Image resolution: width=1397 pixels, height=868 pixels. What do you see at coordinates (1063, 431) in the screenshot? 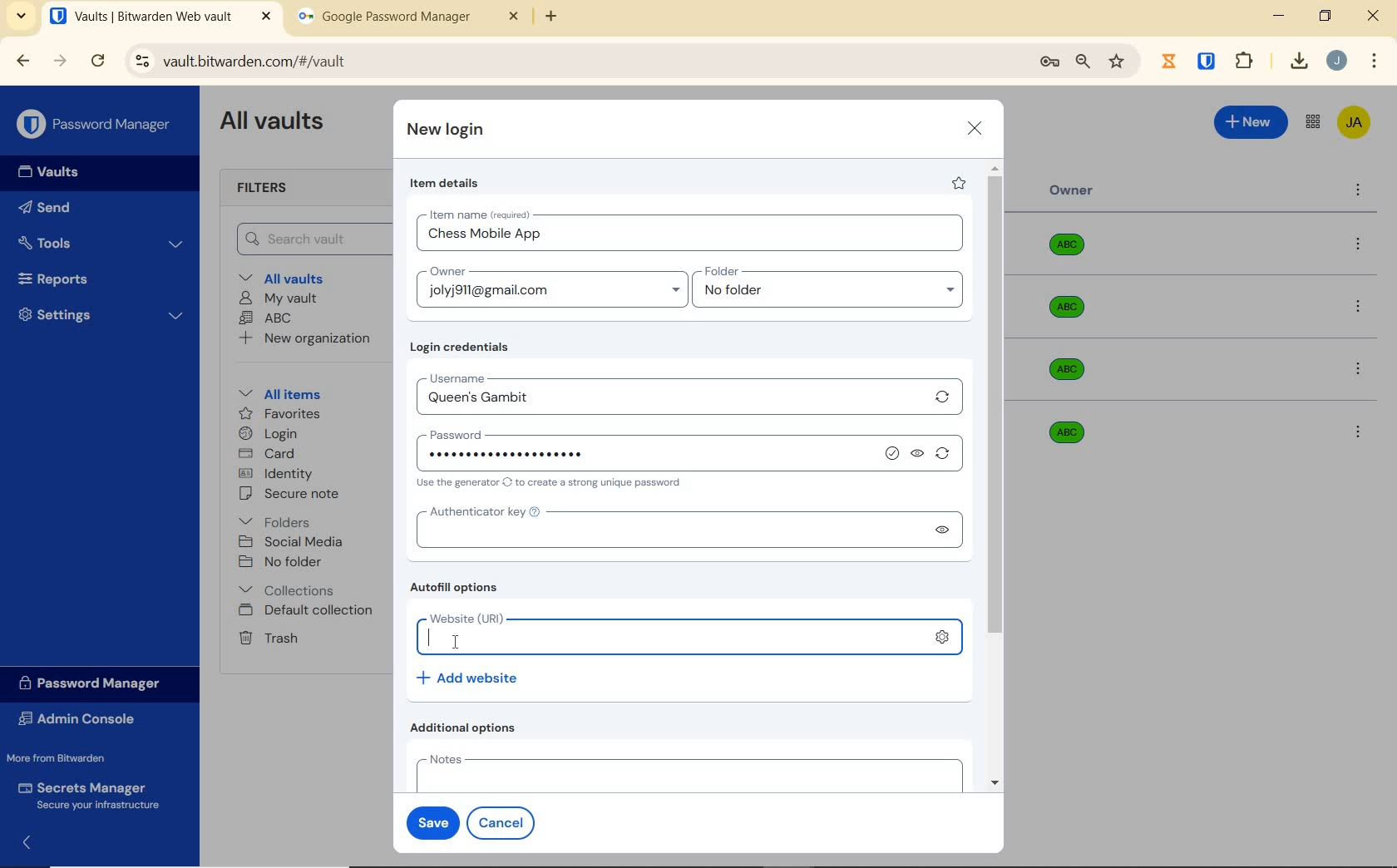
I see `Owner organization` at bounding box center [1063, 431].